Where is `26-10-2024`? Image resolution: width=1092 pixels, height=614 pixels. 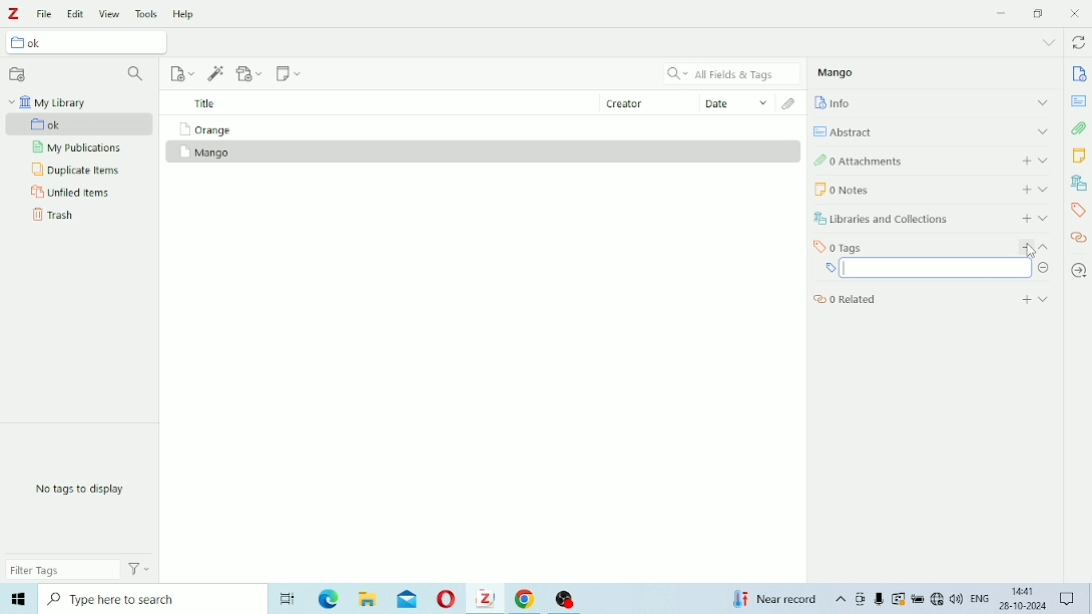 26-10-2024 is located at coordinates (1026, 608).